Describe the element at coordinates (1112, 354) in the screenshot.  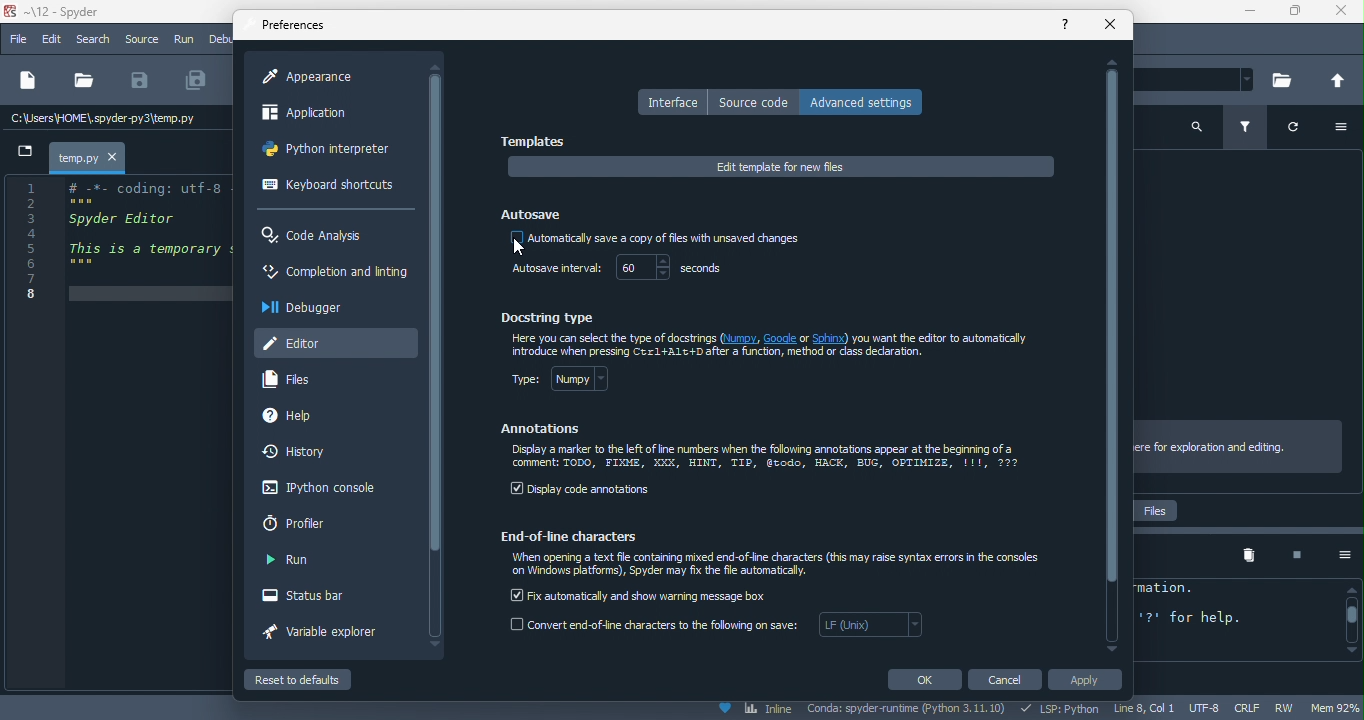
I see `vertical scroll bar` at that location.